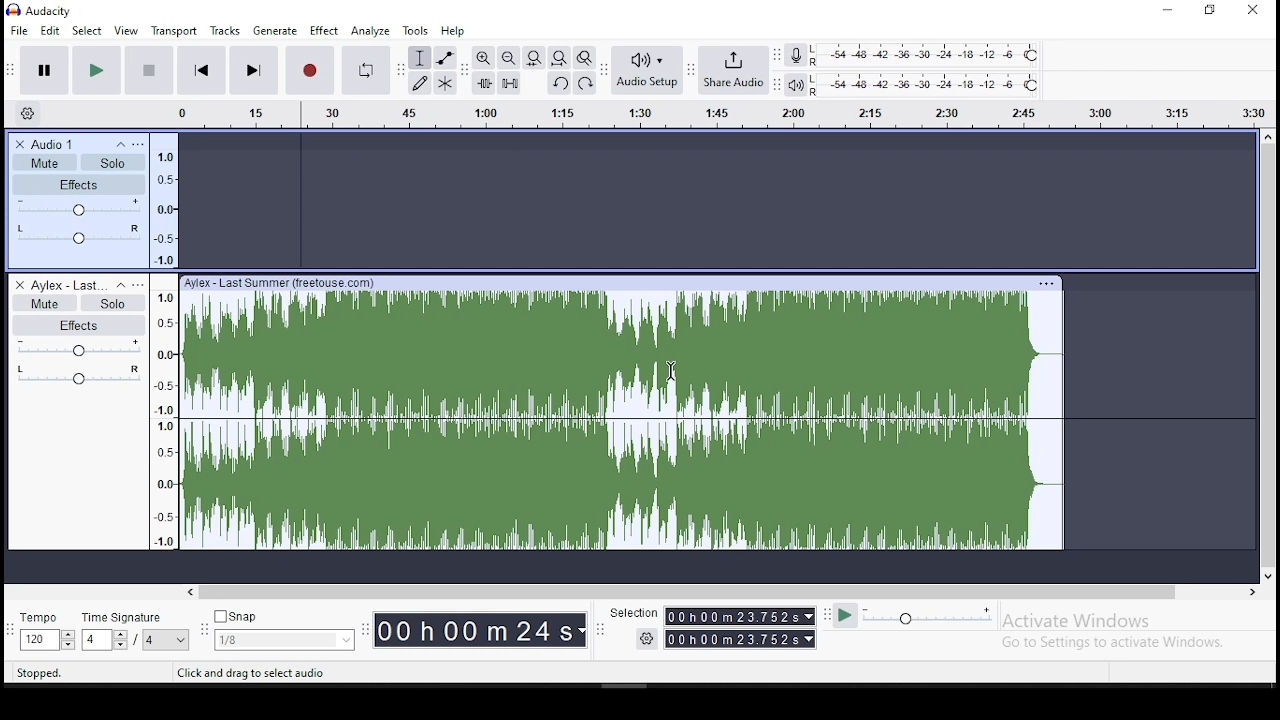 The image size is (1280, 720). Describe the element at coordinates (44, 162) in the screenshot. I see `mute/unmute` at that location.